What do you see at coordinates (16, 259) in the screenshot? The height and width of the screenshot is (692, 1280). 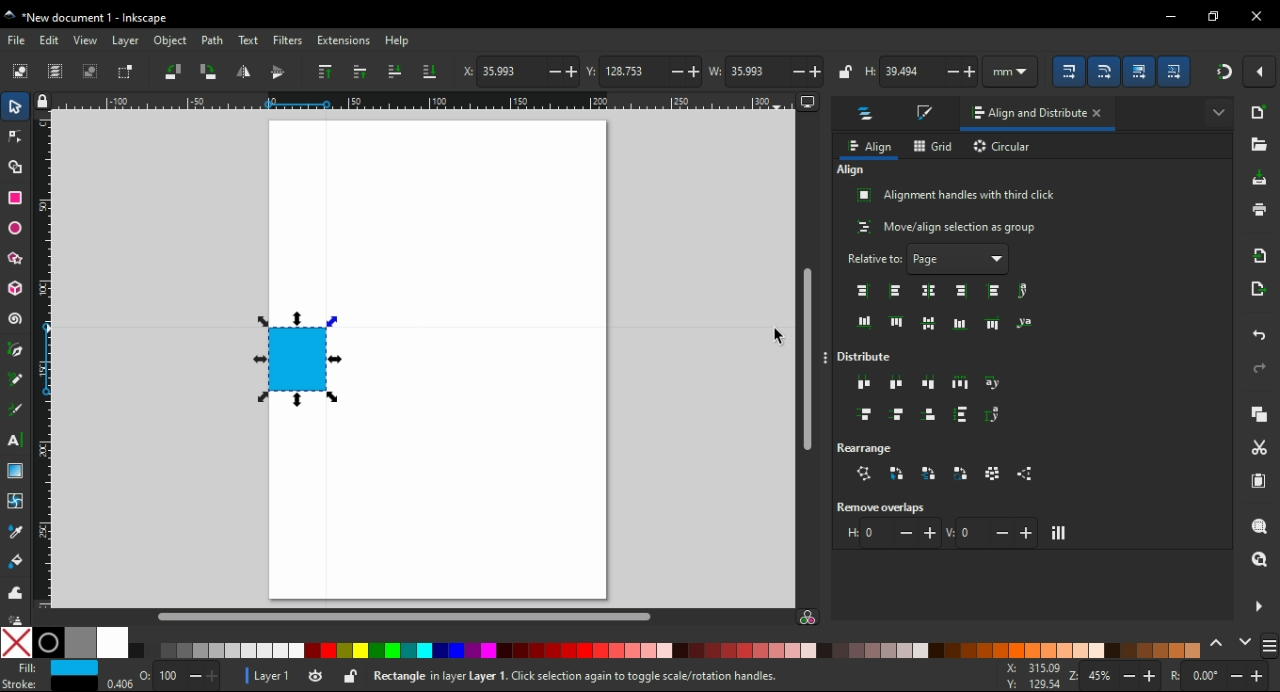 I see `star/polygon tool` at bounding box center [16, 259].